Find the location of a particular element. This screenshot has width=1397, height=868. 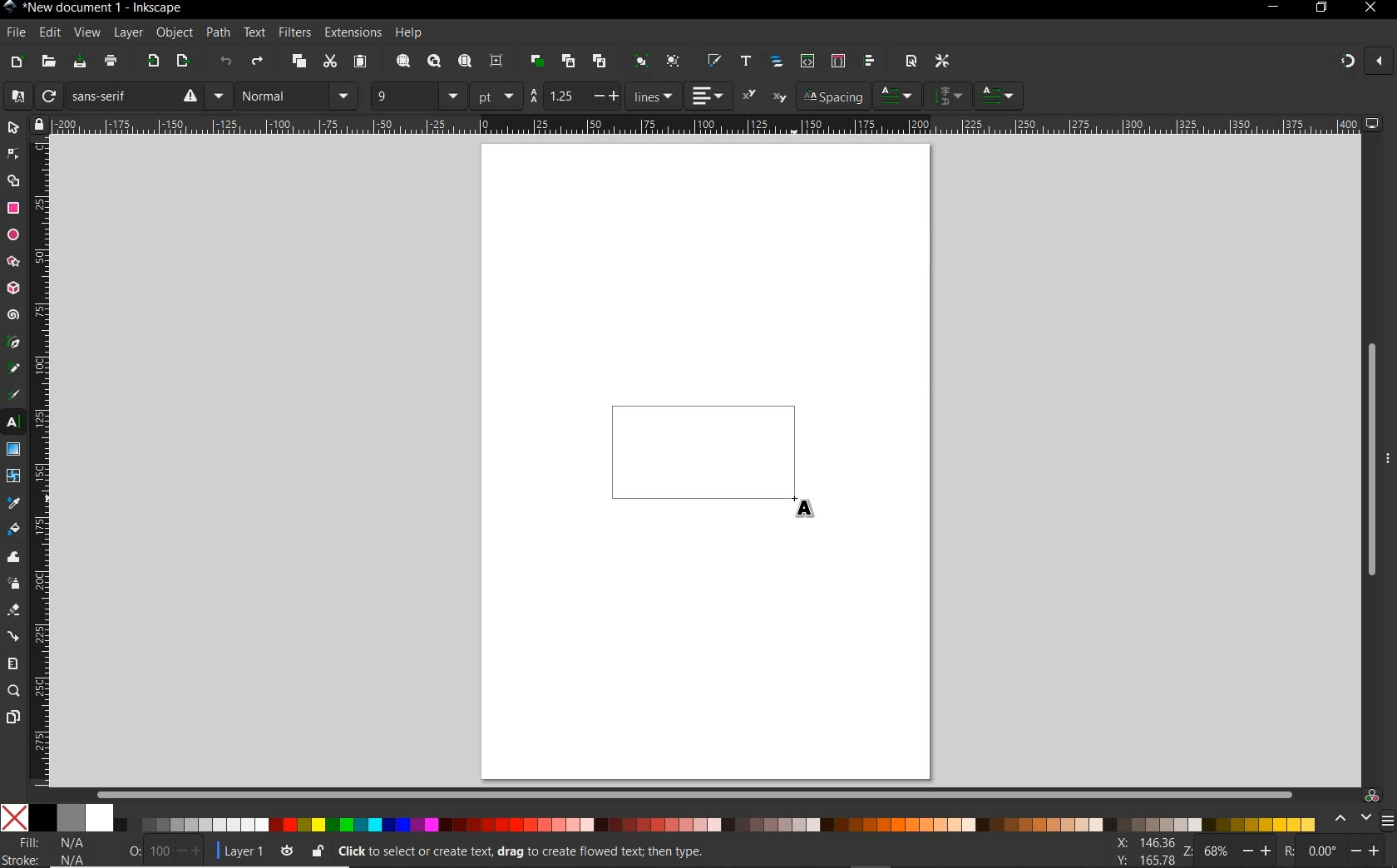

text is located at coordinates (252, 33).